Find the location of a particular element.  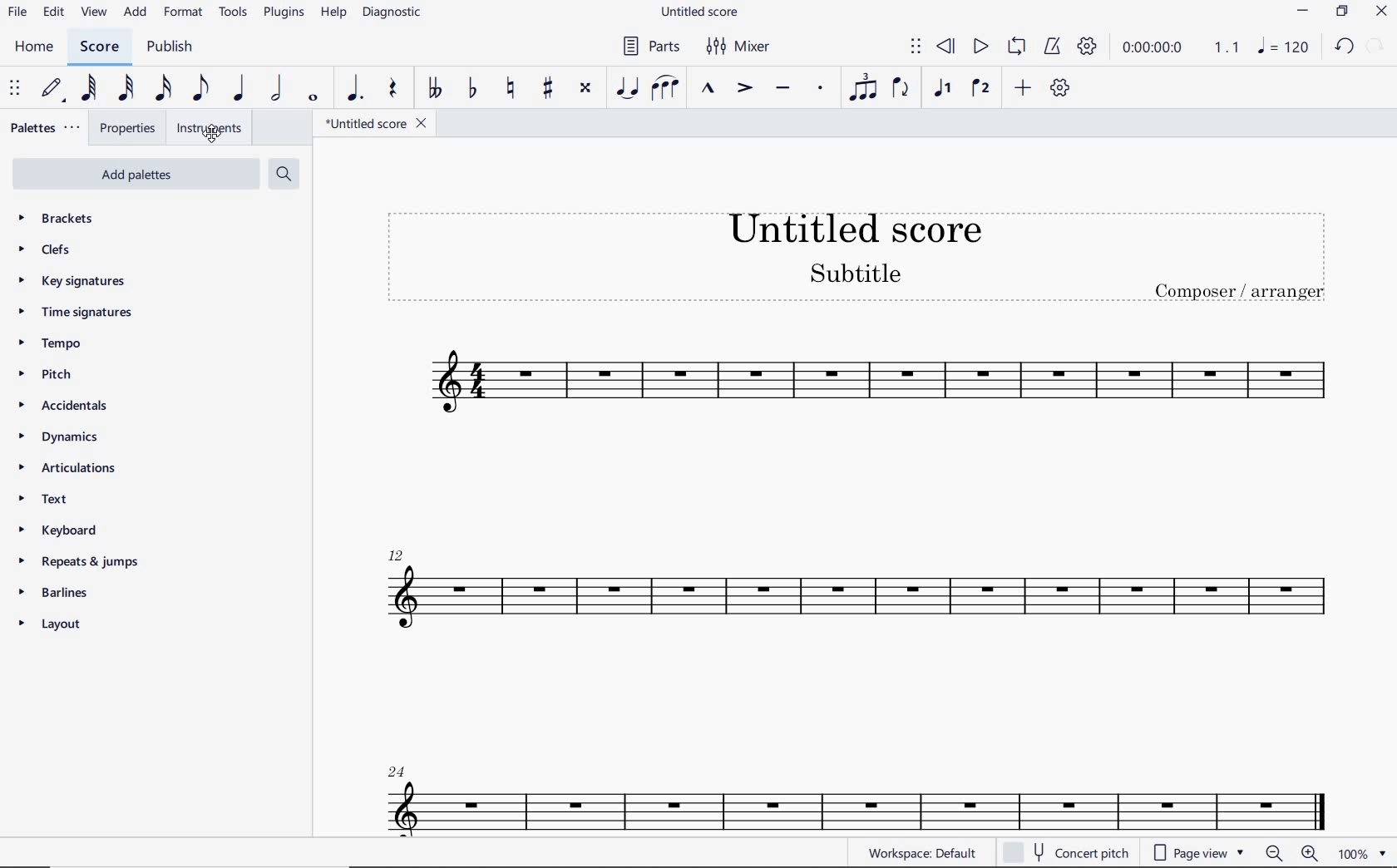

PUBLISH is located at coordinates (175, 49).